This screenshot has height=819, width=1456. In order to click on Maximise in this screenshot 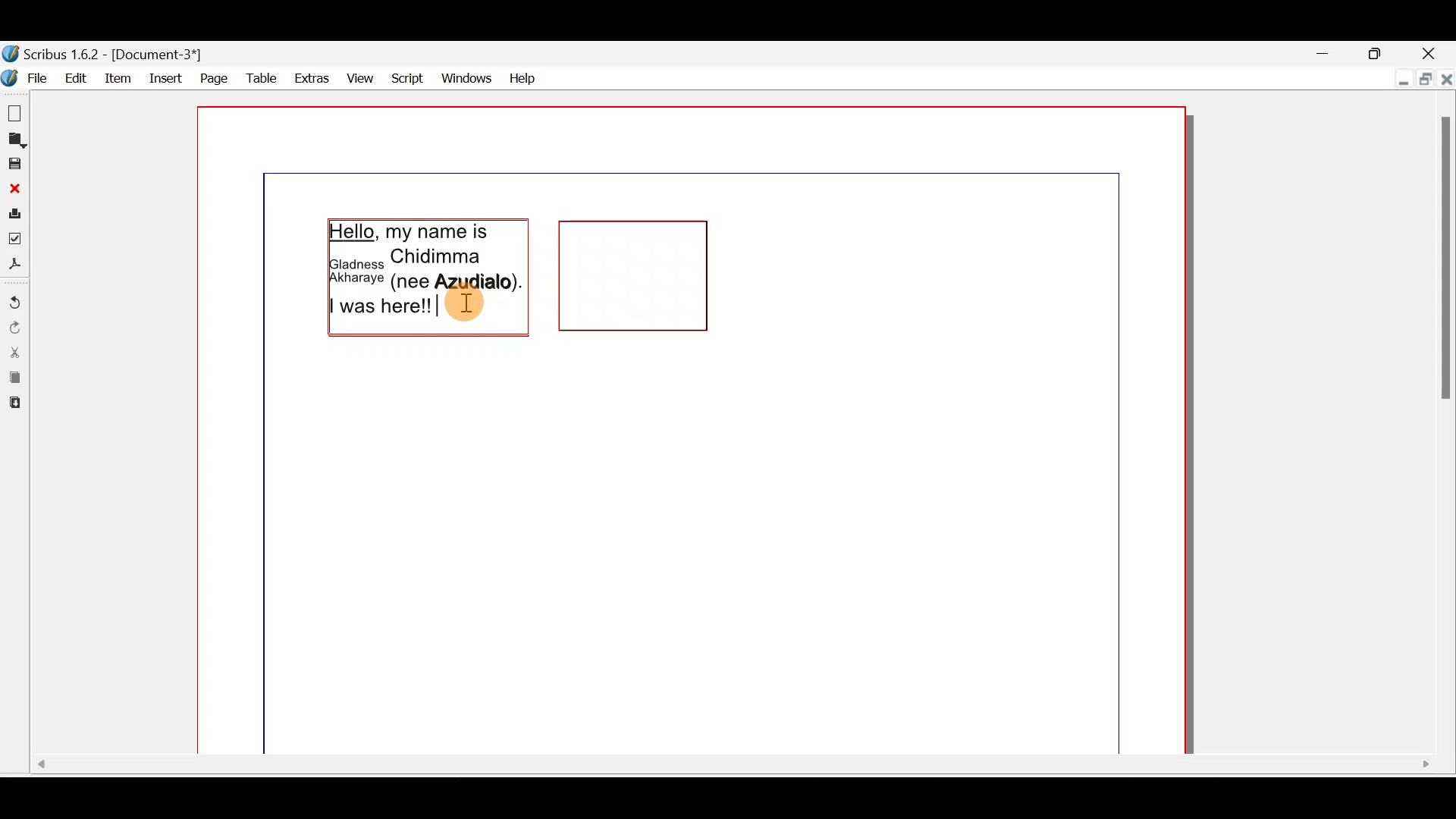, I will do `click(1378, 51)`.